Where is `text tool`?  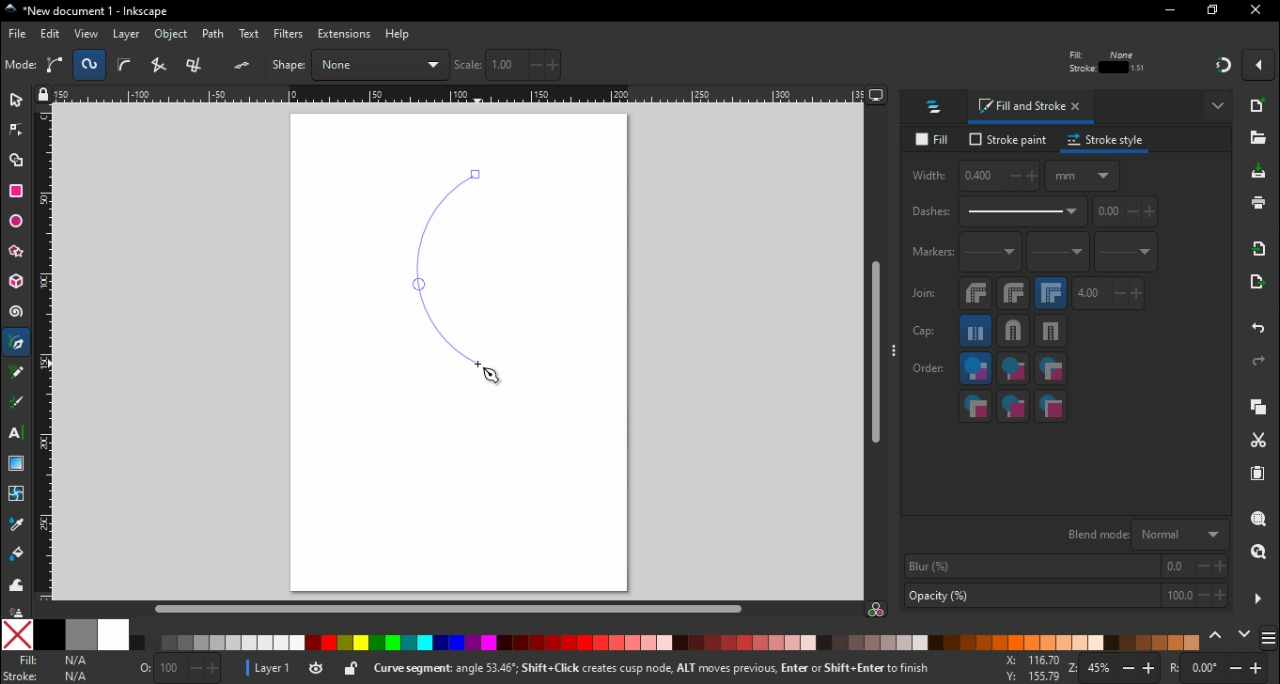 text tool is located at coordinates (16, 435).